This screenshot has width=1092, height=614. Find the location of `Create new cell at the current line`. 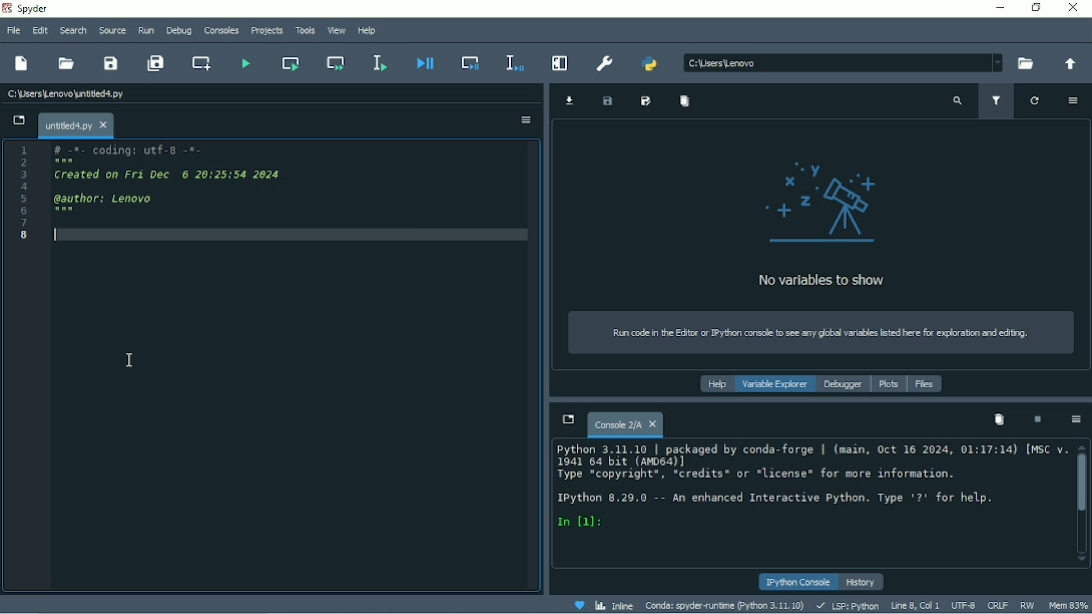

Create new cell at the current line is located at coordinates (199, 62).